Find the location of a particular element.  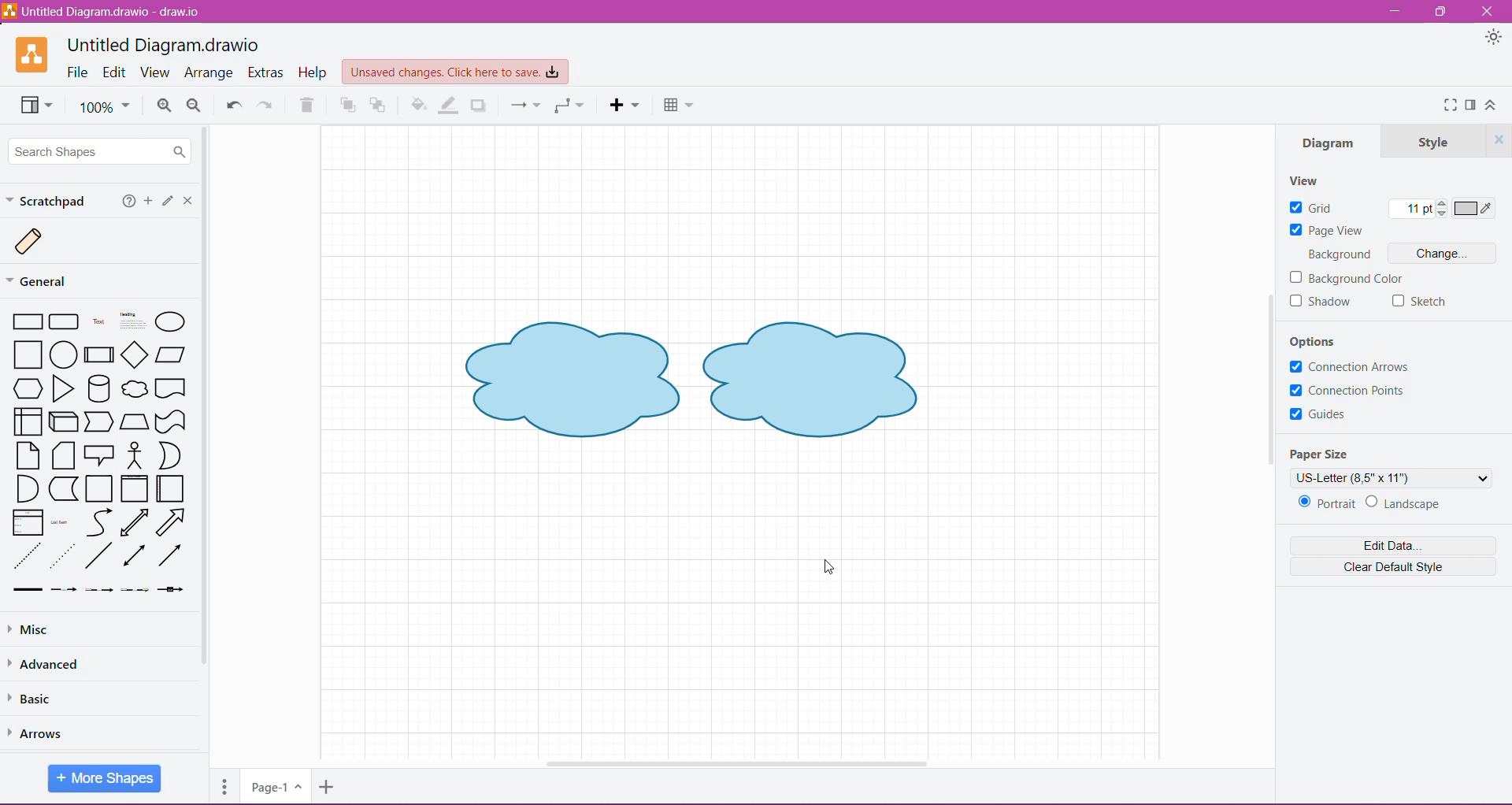

Guides is located at coordinates (1329, 417).